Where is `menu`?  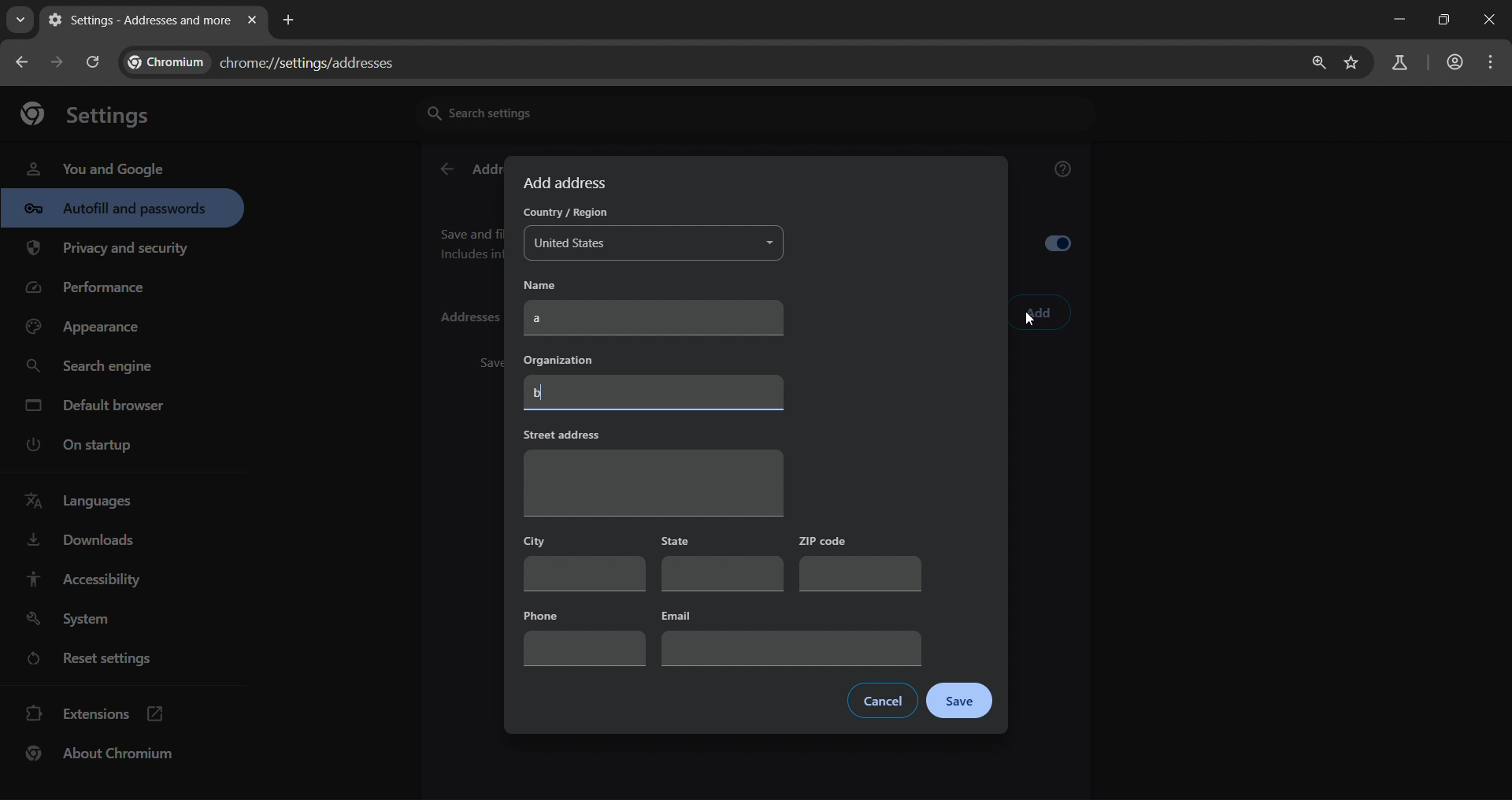 menu is located at coordinates (1495, 62).